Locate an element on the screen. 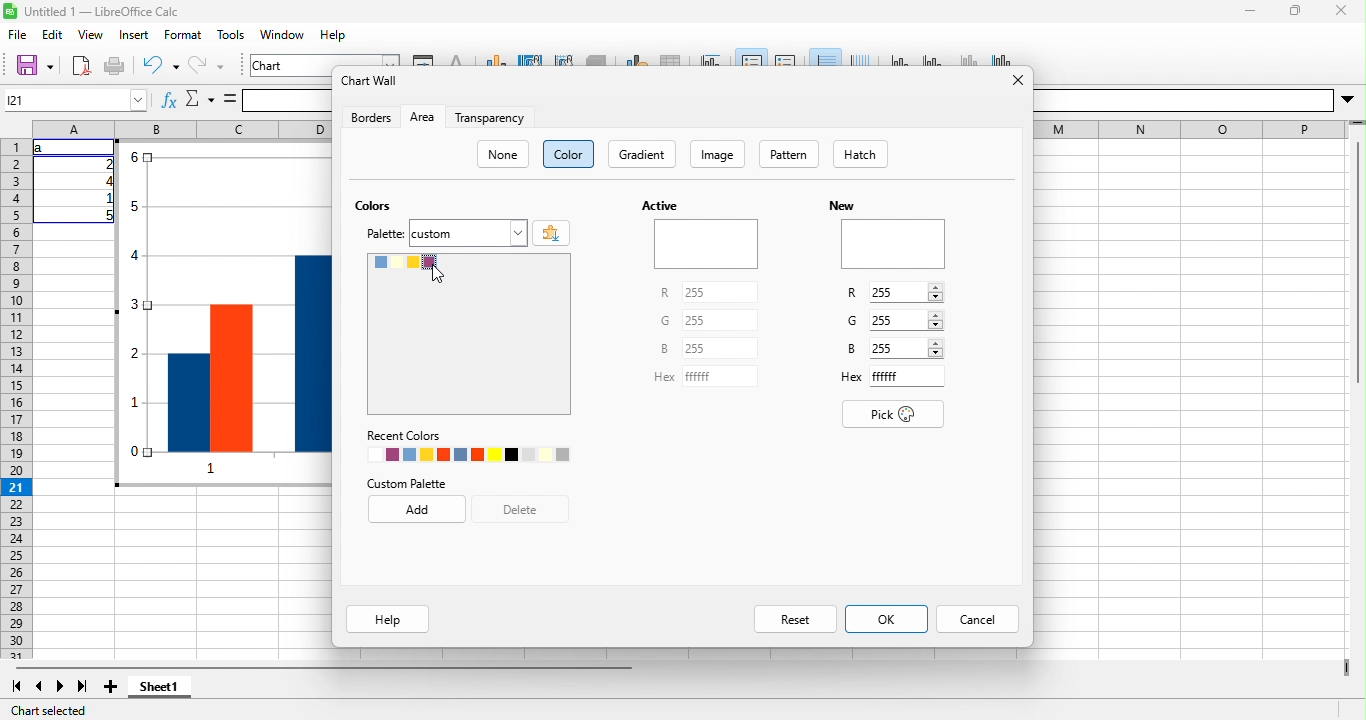 The image size is (1366, 720). Preview of new is located at coordinates (894, 244).